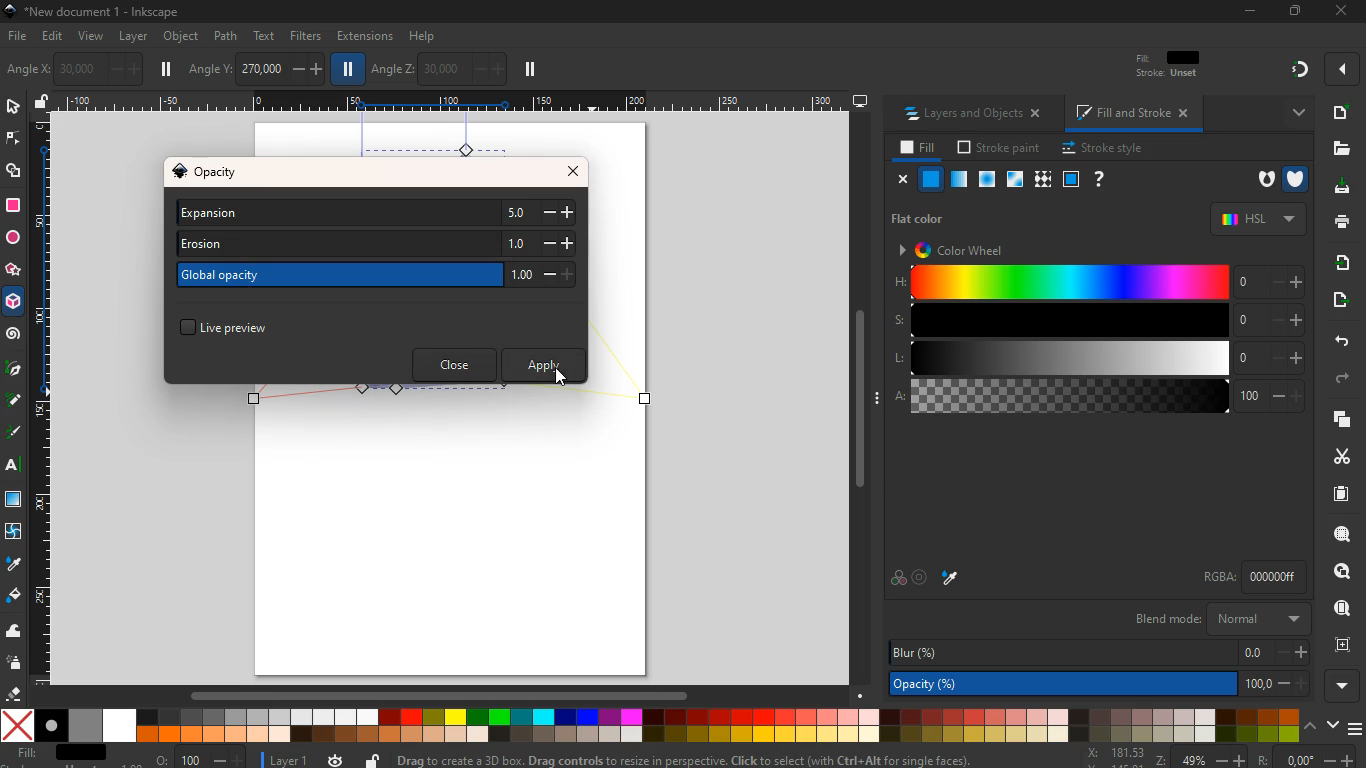 This screenshot has height=768, width=1366. I want to click on fill and stroke, so click(1135, 115).